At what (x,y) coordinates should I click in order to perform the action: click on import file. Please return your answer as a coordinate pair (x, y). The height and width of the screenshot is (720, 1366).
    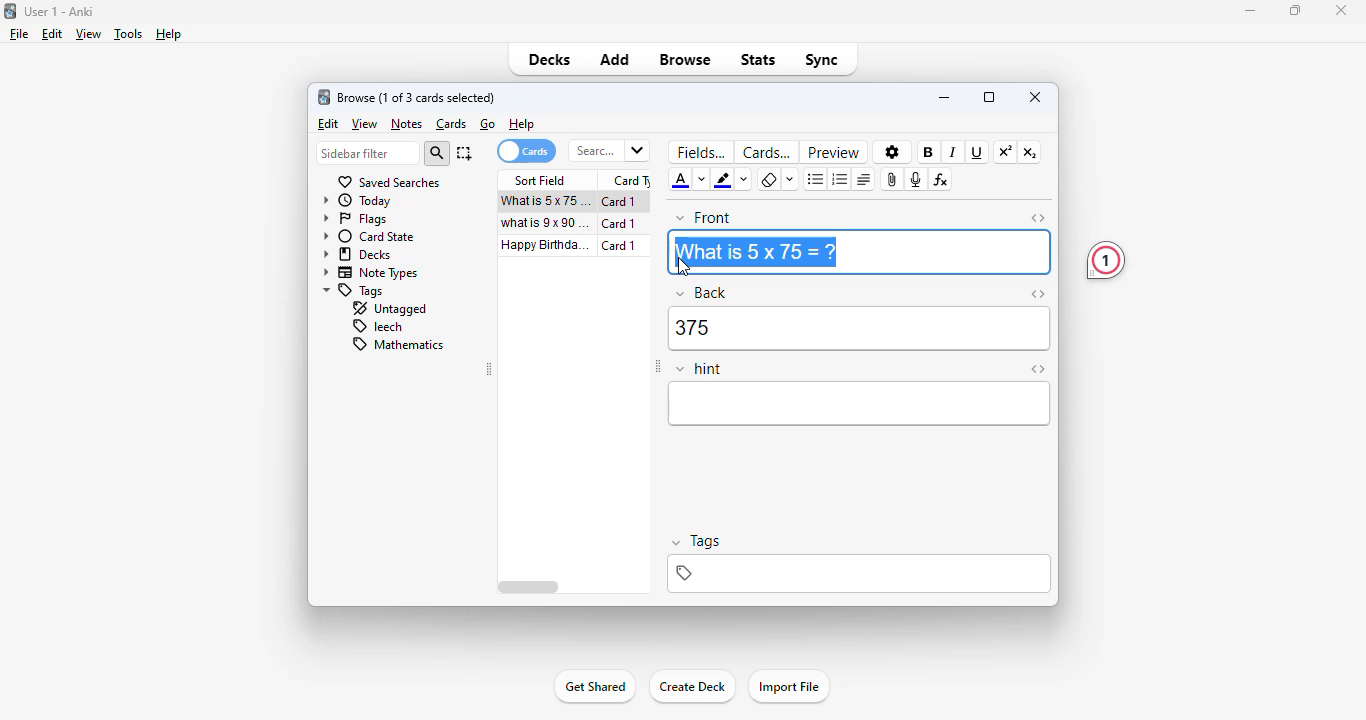
    Looking at the image, I should click on (789, 686).